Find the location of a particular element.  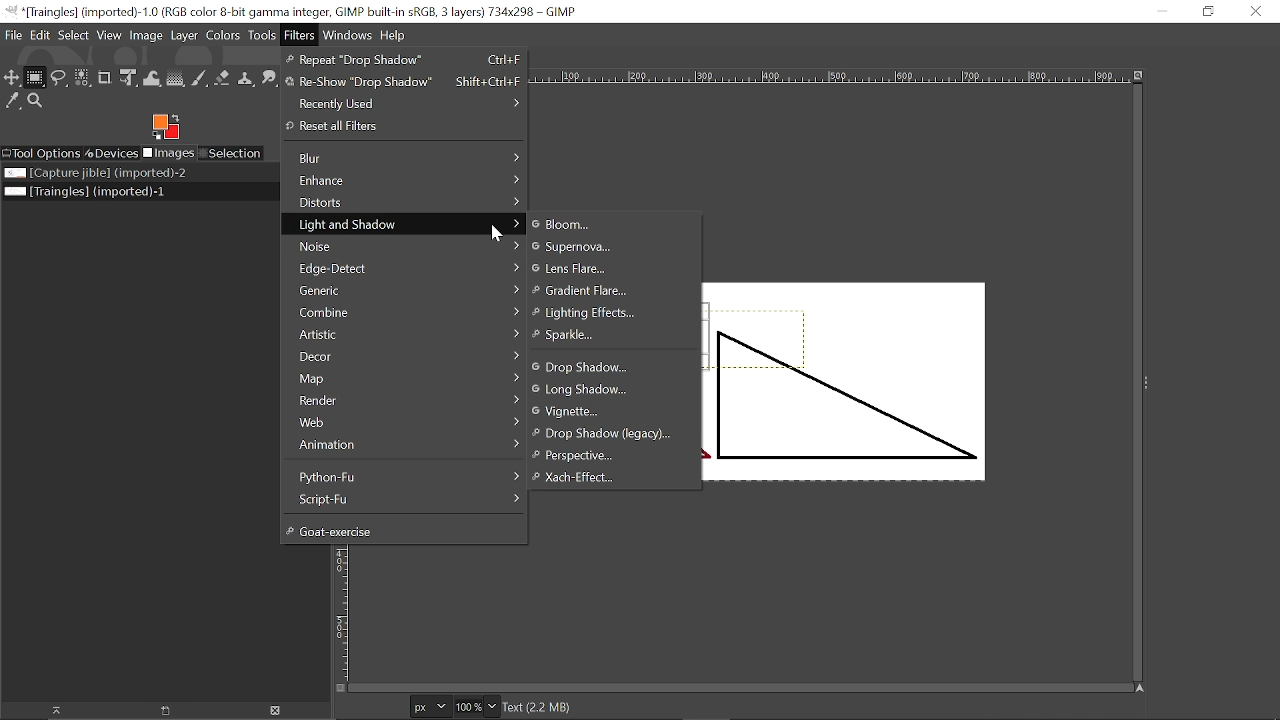

Ligtning effect is located at coordinates (620, 315).